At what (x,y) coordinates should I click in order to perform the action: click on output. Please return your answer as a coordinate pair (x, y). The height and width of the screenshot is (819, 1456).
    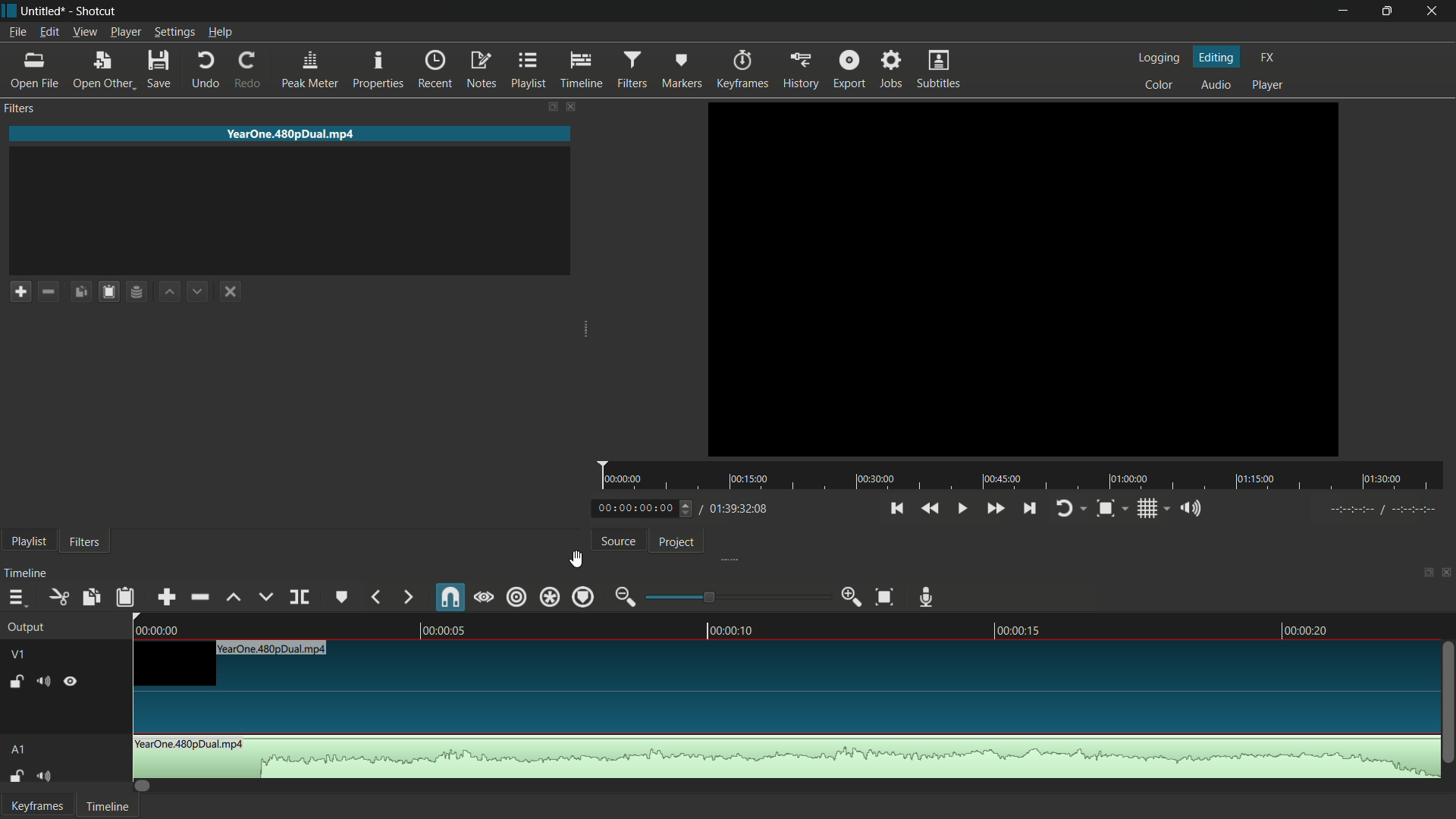
    Looking at the image, I should click on (28, 627).